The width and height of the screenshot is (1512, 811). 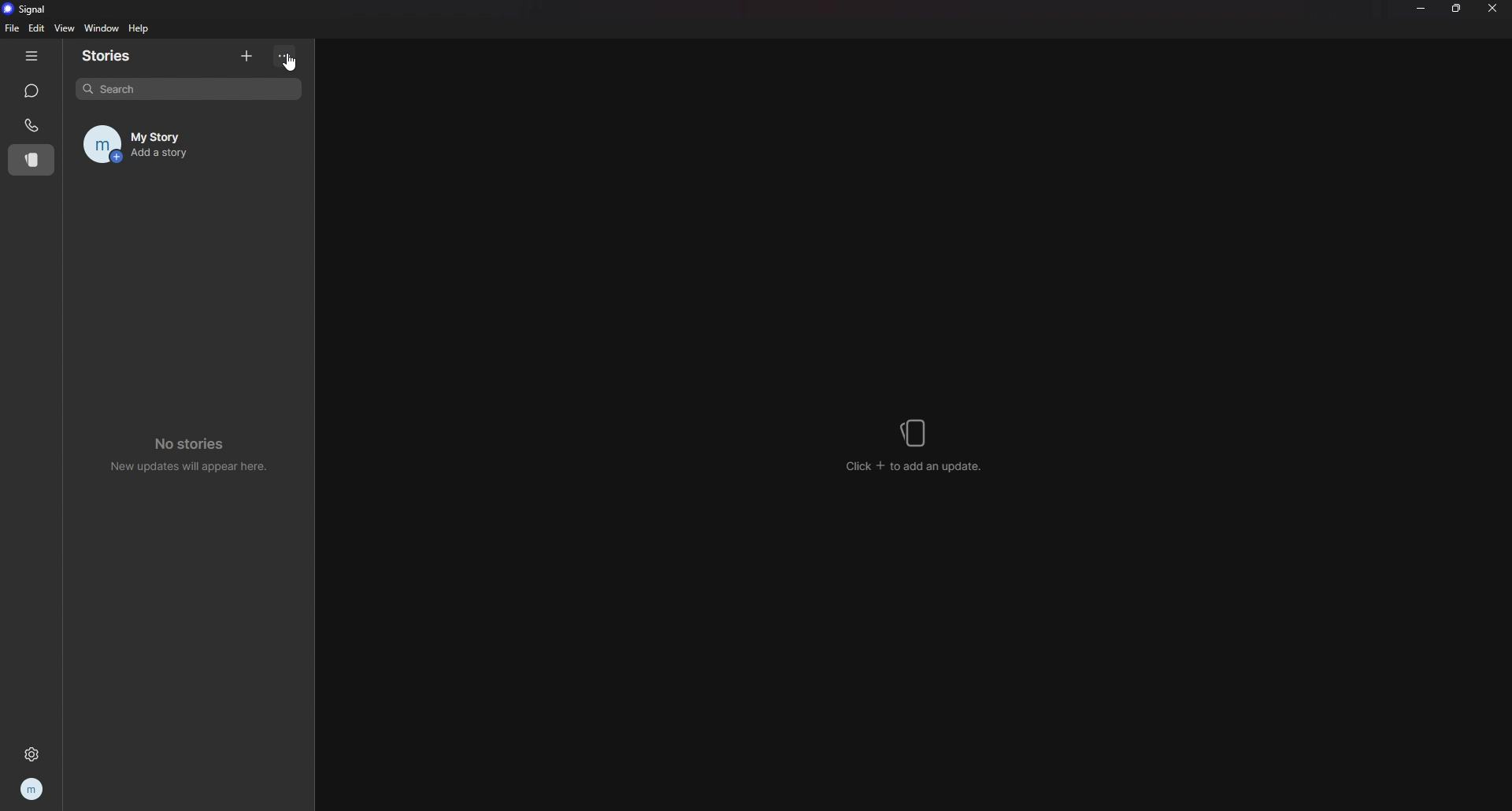 What do you see at coordinates (117, 56) in the screenshot?
I see `stories` at bounding box center [117, 56].